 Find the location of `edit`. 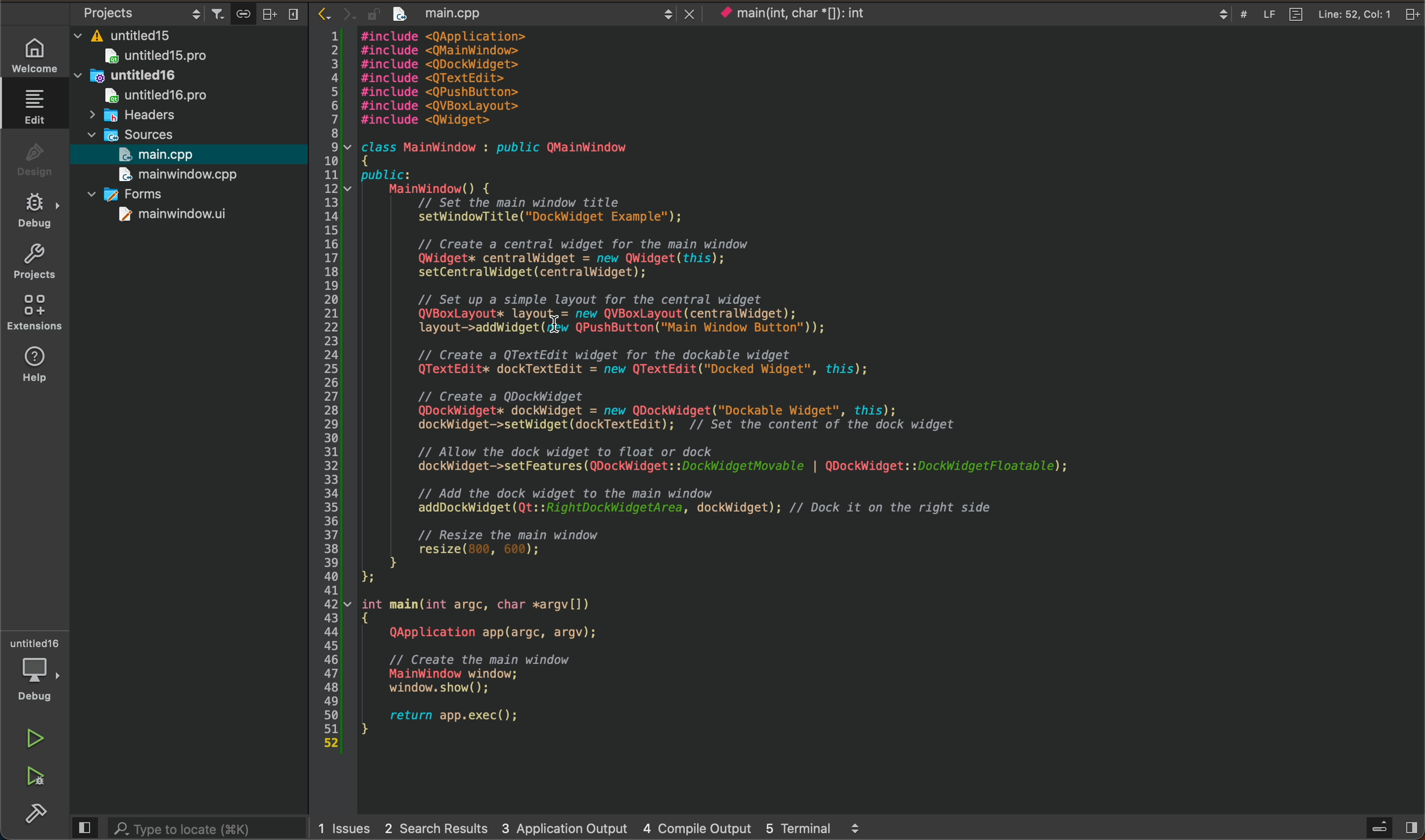

edit is located at coordinates (29, 104).